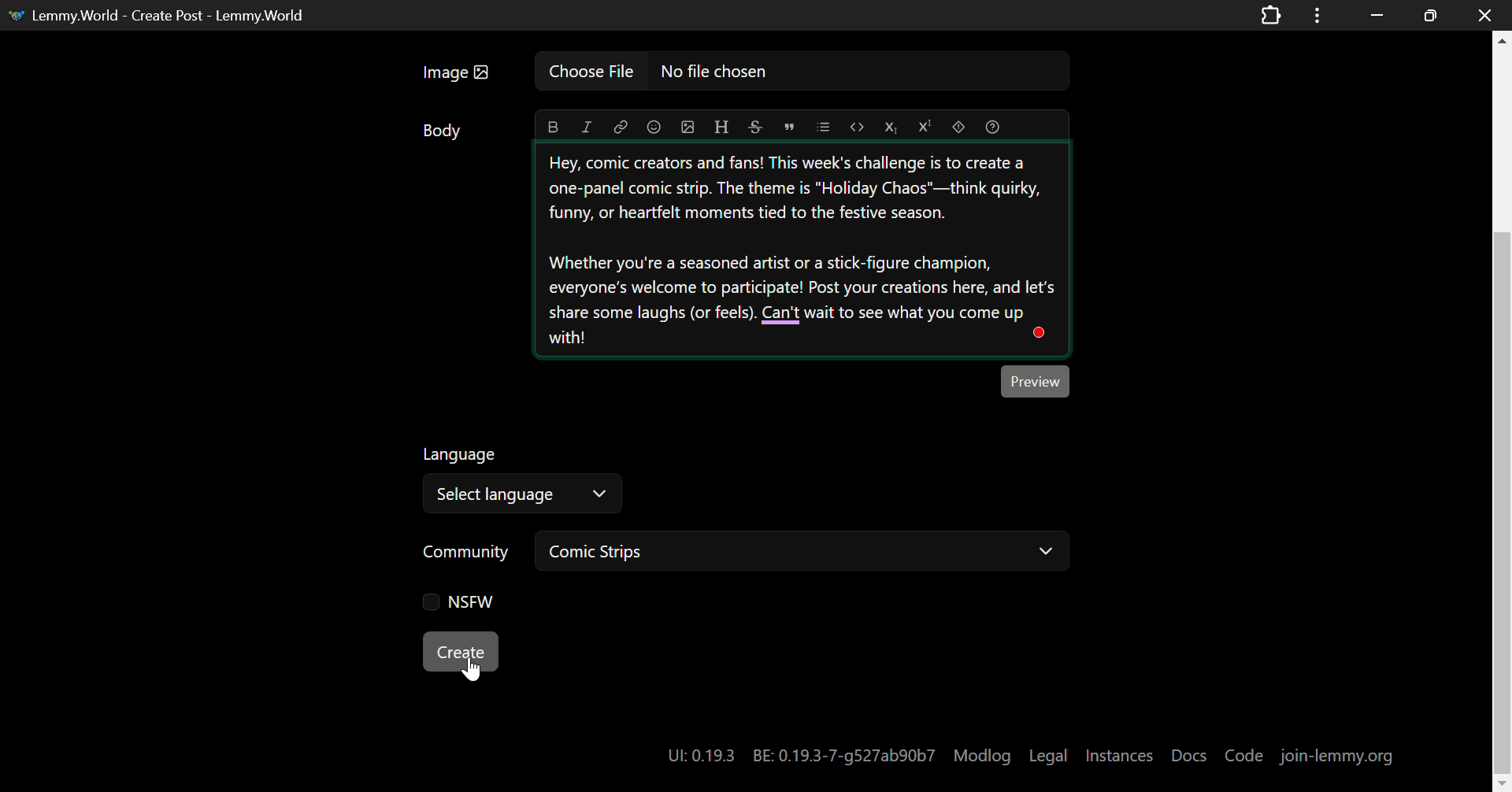 Image resolution: width=1512 pixels, height=792 pixels. I want to click on header, so click(720, 128).